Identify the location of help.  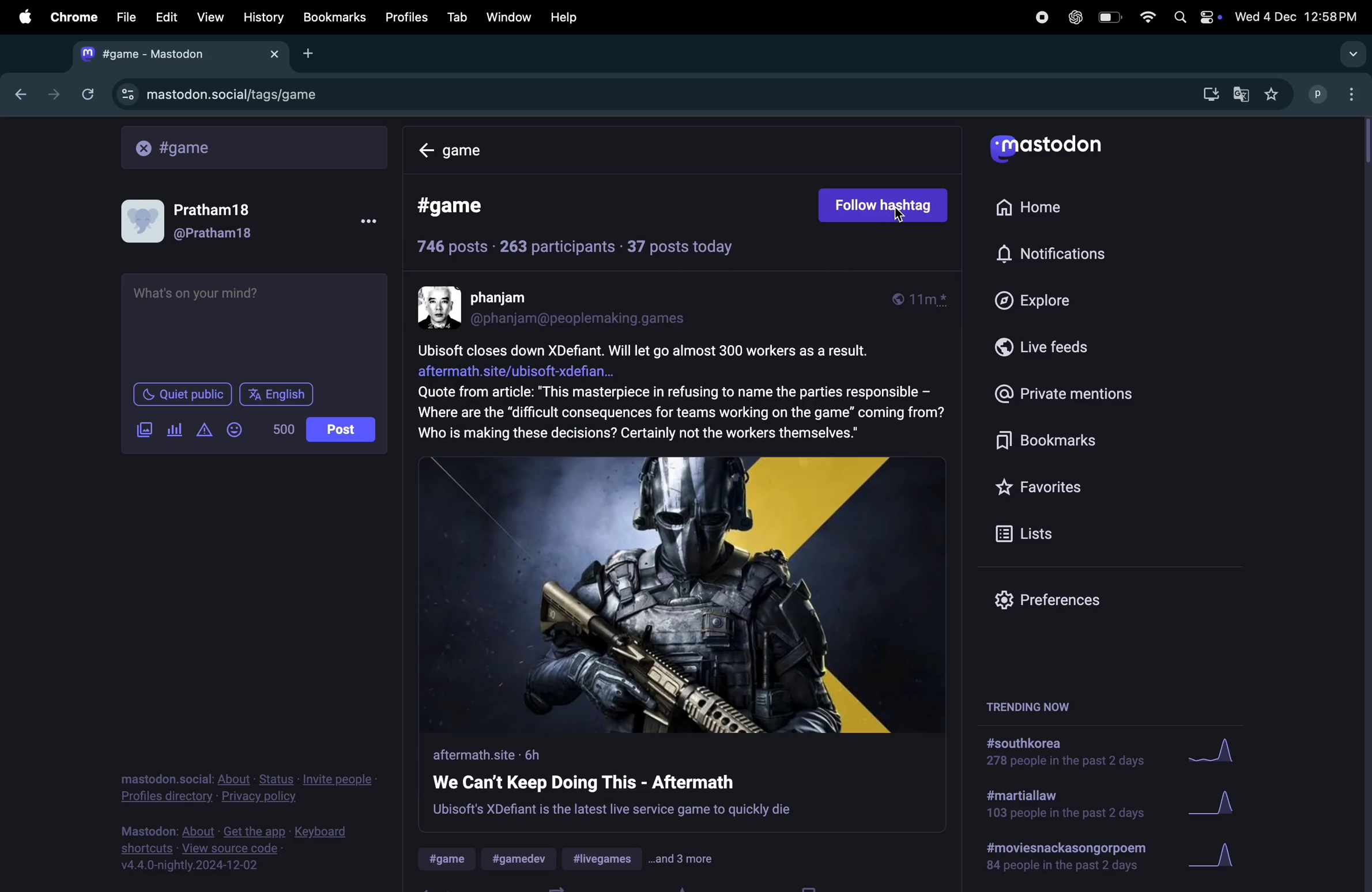
(563, 17).